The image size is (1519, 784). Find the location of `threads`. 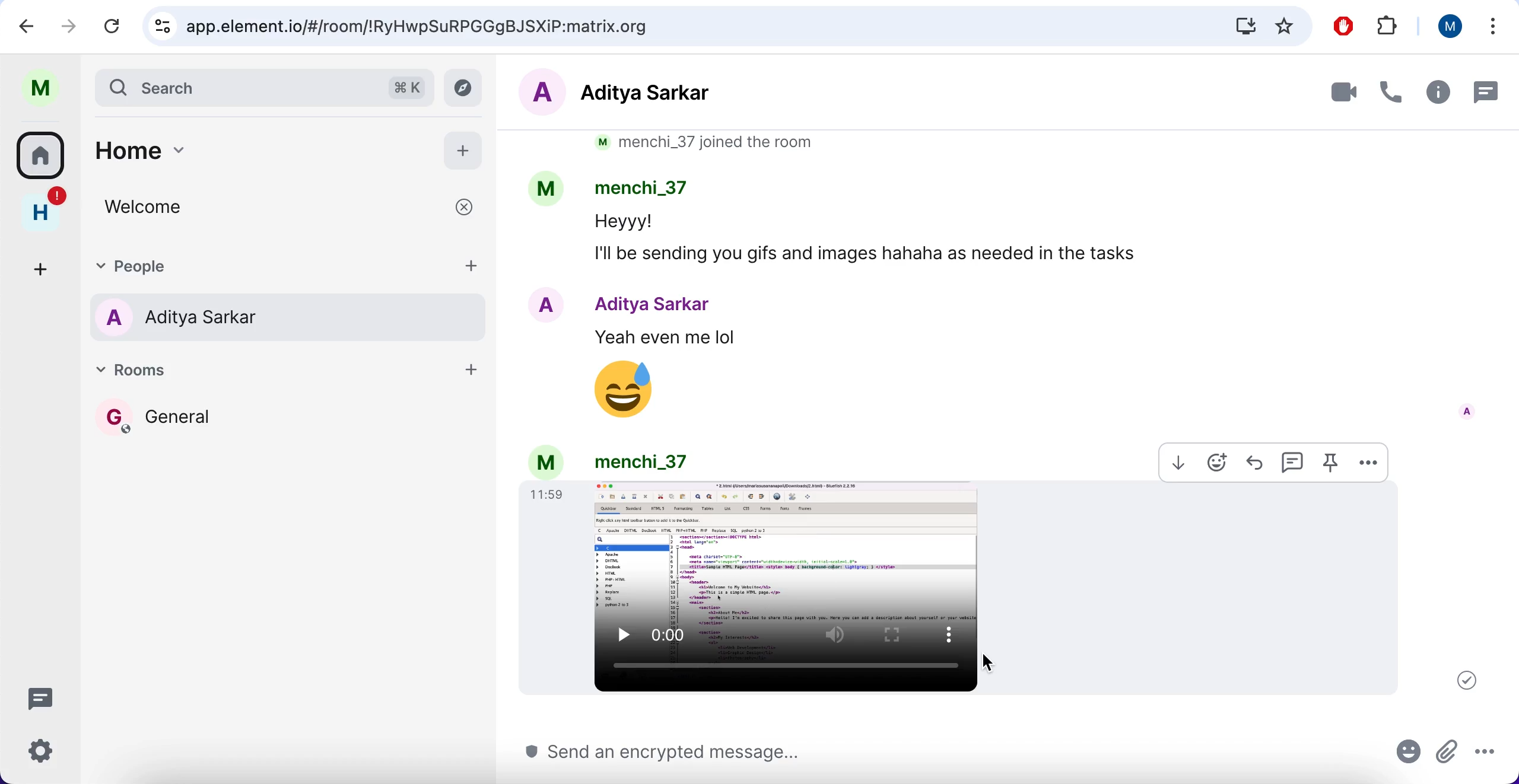

threads is located at coordinates (1488, 96).